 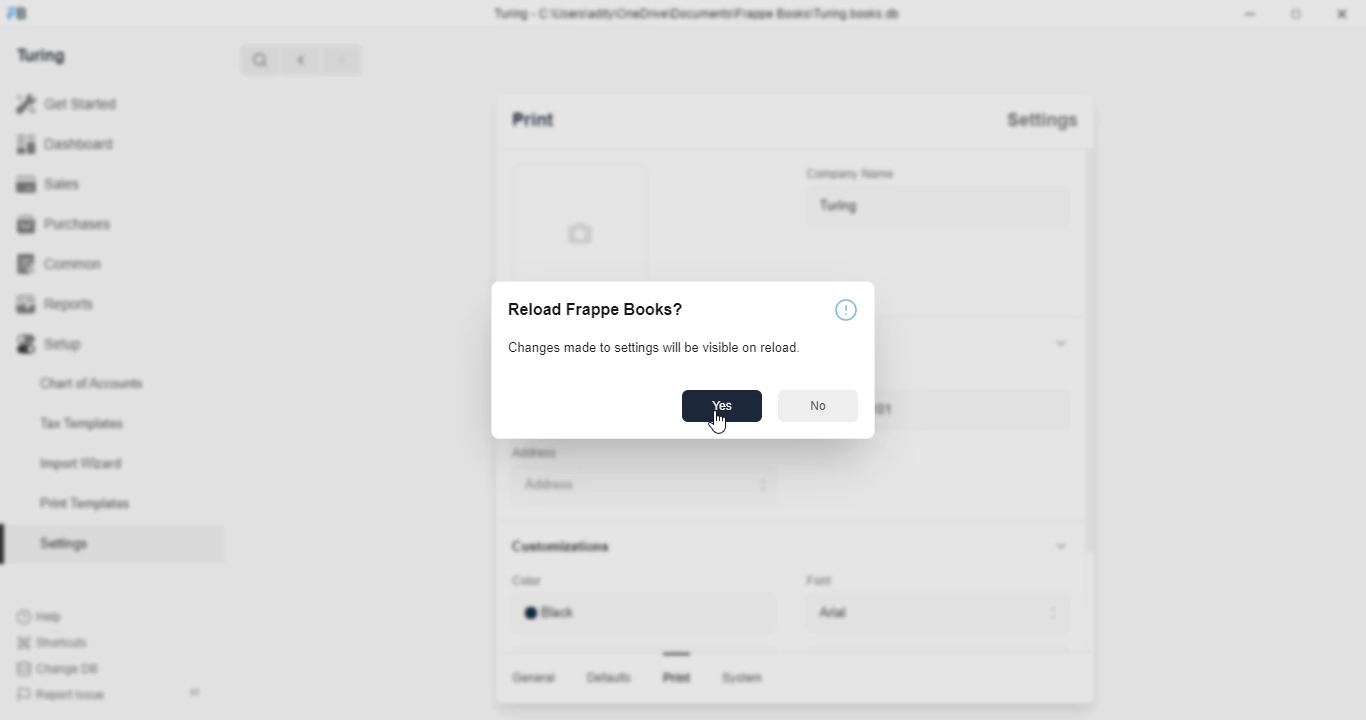 What do you see at coordinates (698, 12) in the screenshot?
I see `Turing - C-\Users\adity\OneDrive\Documents\Frappe Books\Turing.books.db` at bounding box center [698, 12].